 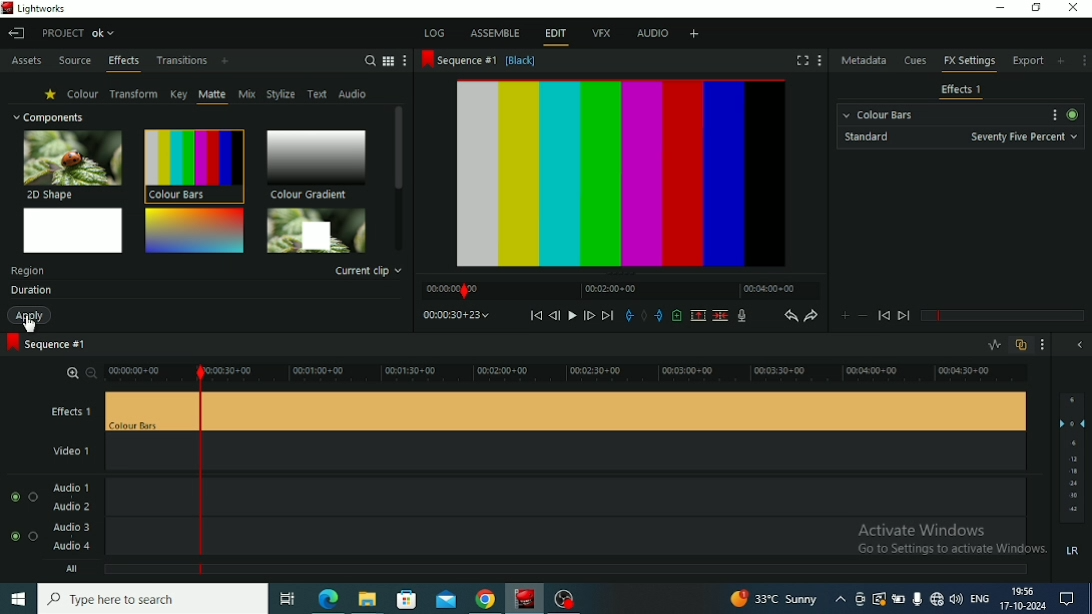 I want to click on Colour Bars, so click(x=193, y=165).